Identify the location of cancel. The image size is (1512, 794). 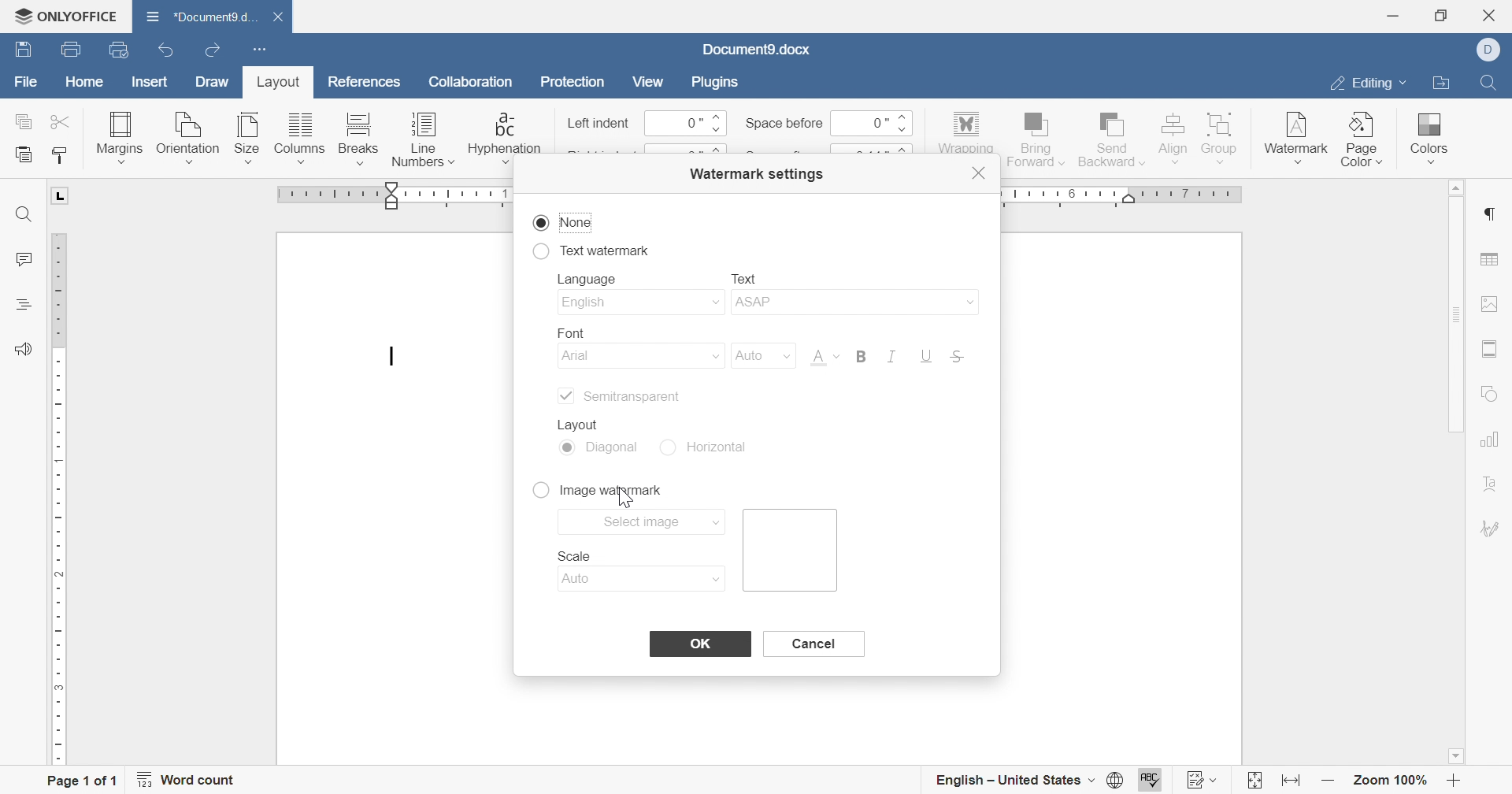
(811, 643).